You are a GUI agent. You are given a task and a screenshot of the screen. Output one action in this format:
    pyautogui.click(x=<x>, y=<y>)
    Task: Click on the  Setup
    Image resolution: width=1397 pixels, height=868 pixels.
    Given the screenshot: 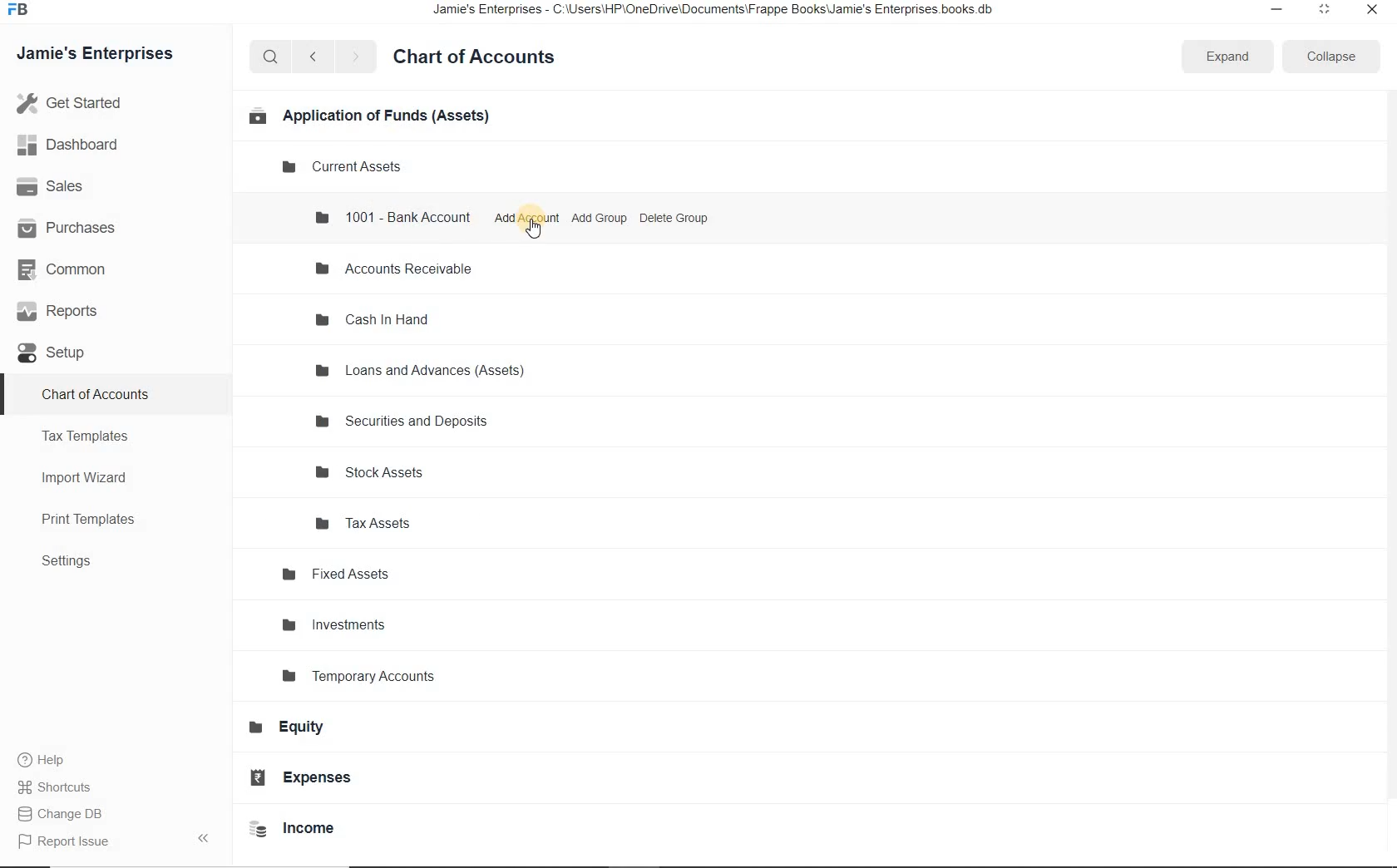 What is the action you would take?
    pyautogui.click(x=63, y=354)
    